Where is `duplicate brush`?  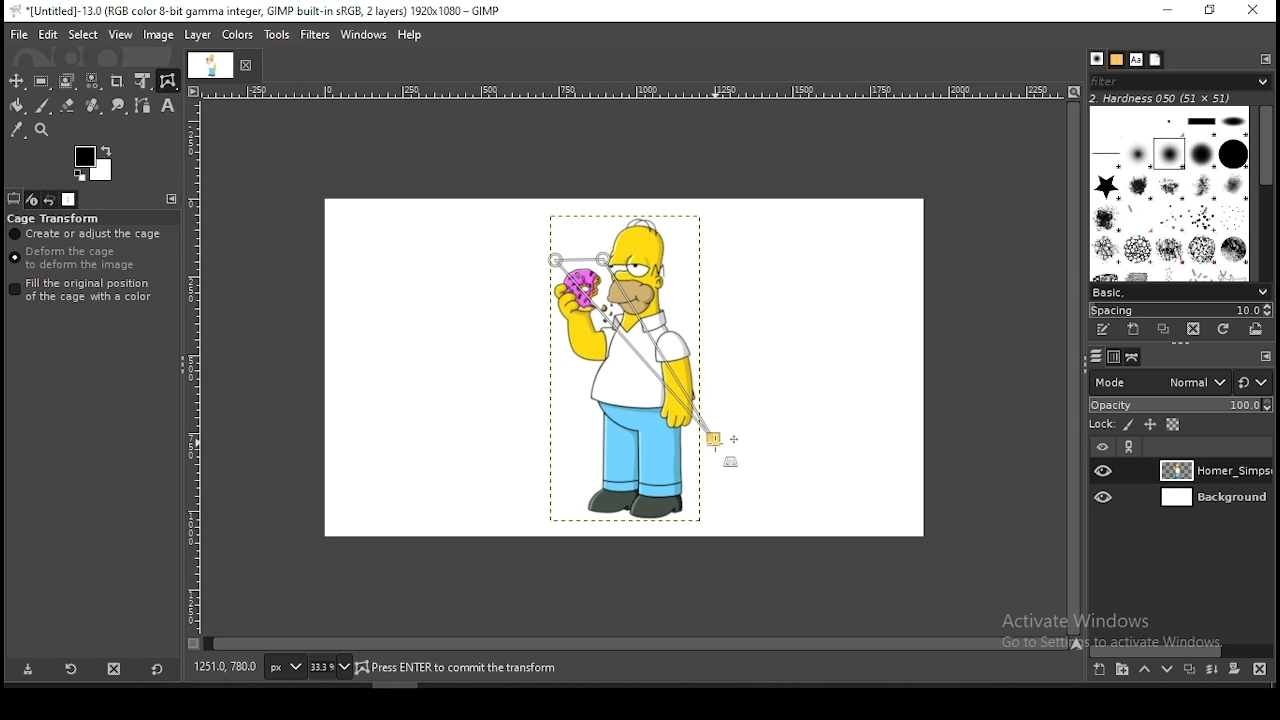
duplicate brush is located at coordinates (1168, 331).